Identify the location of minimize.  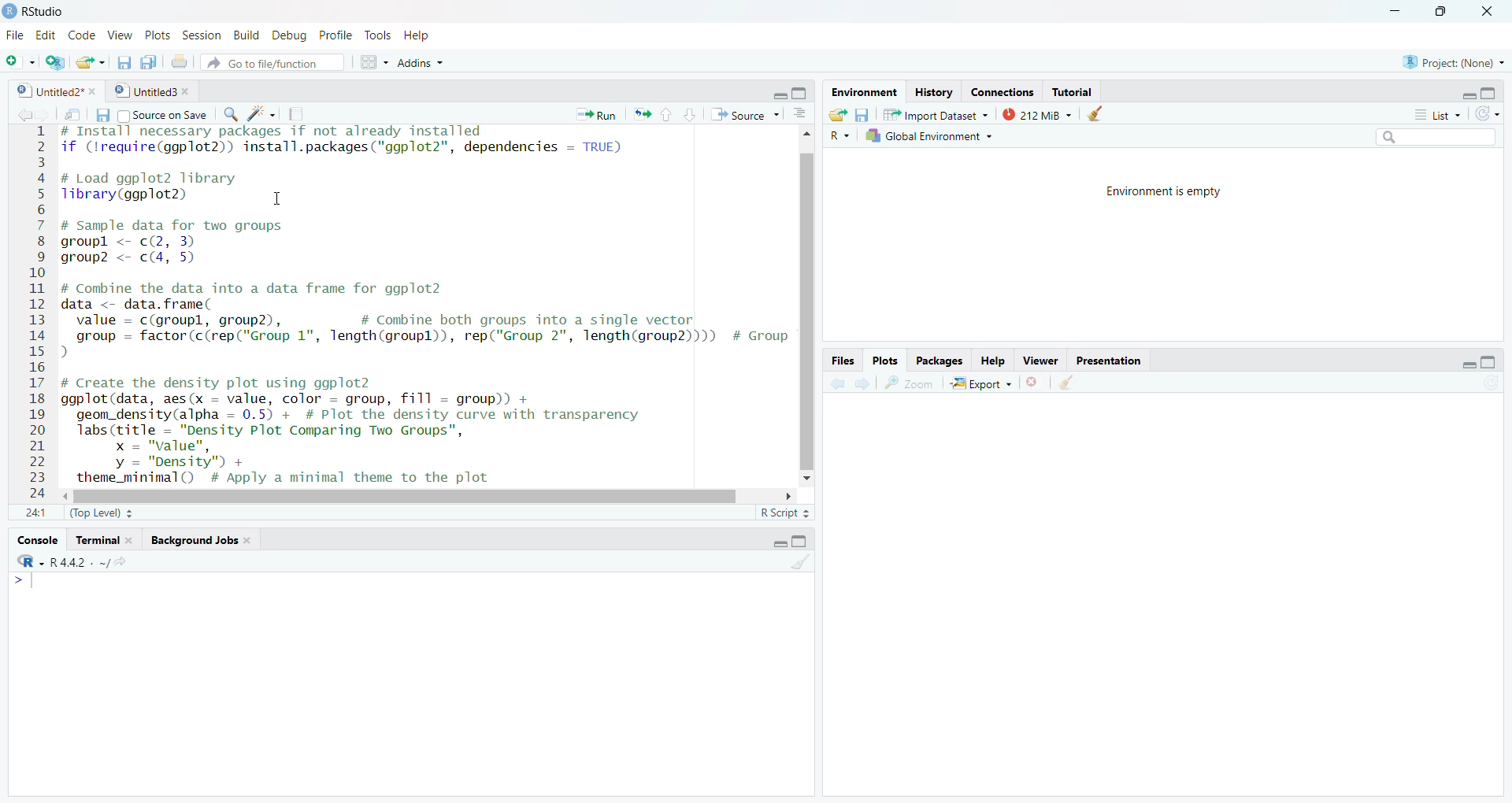
(1396, 11).